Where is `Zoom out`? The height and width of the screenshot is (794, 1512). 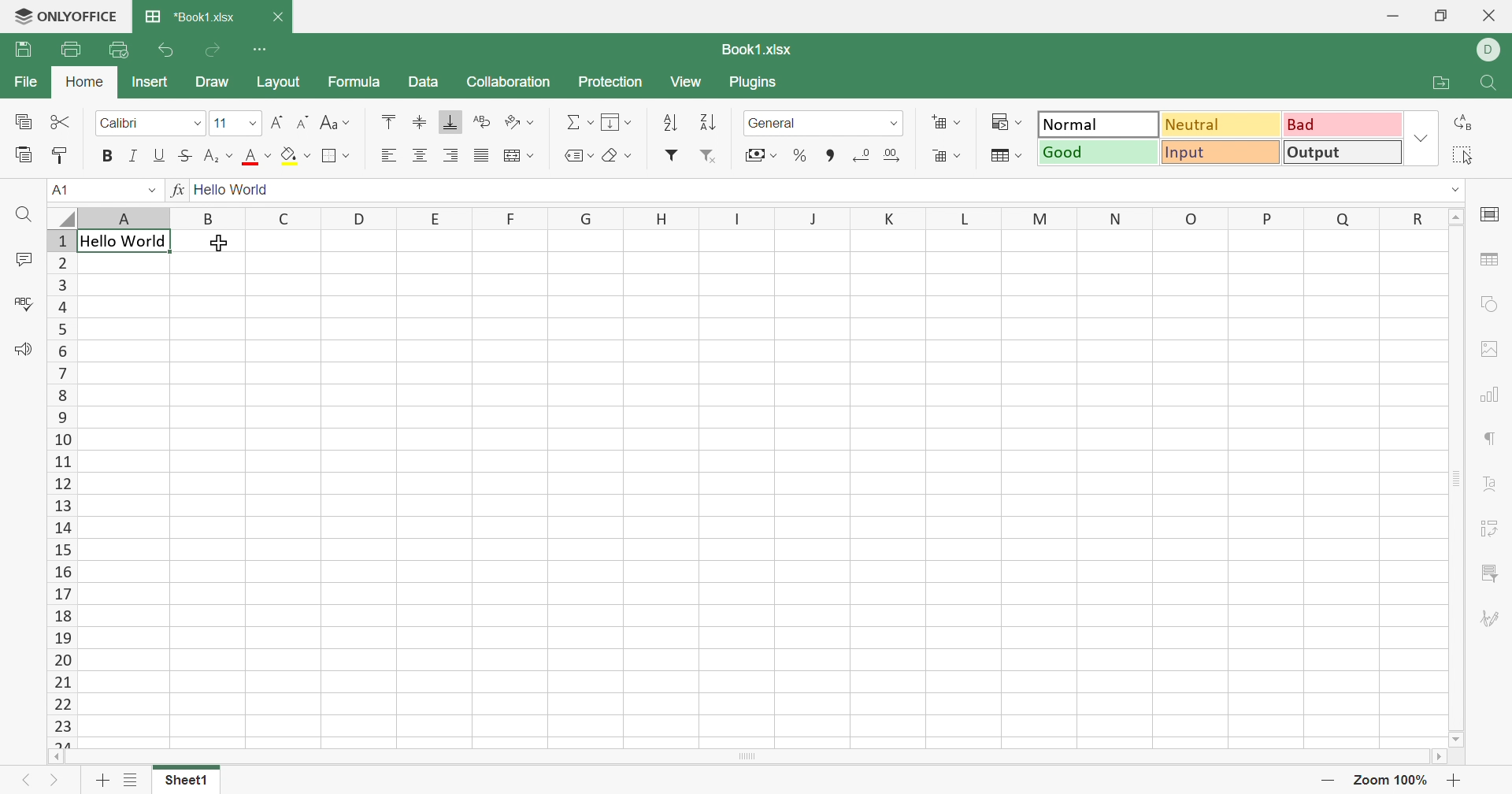
Zoom out is located at coordinates (1328, 781).